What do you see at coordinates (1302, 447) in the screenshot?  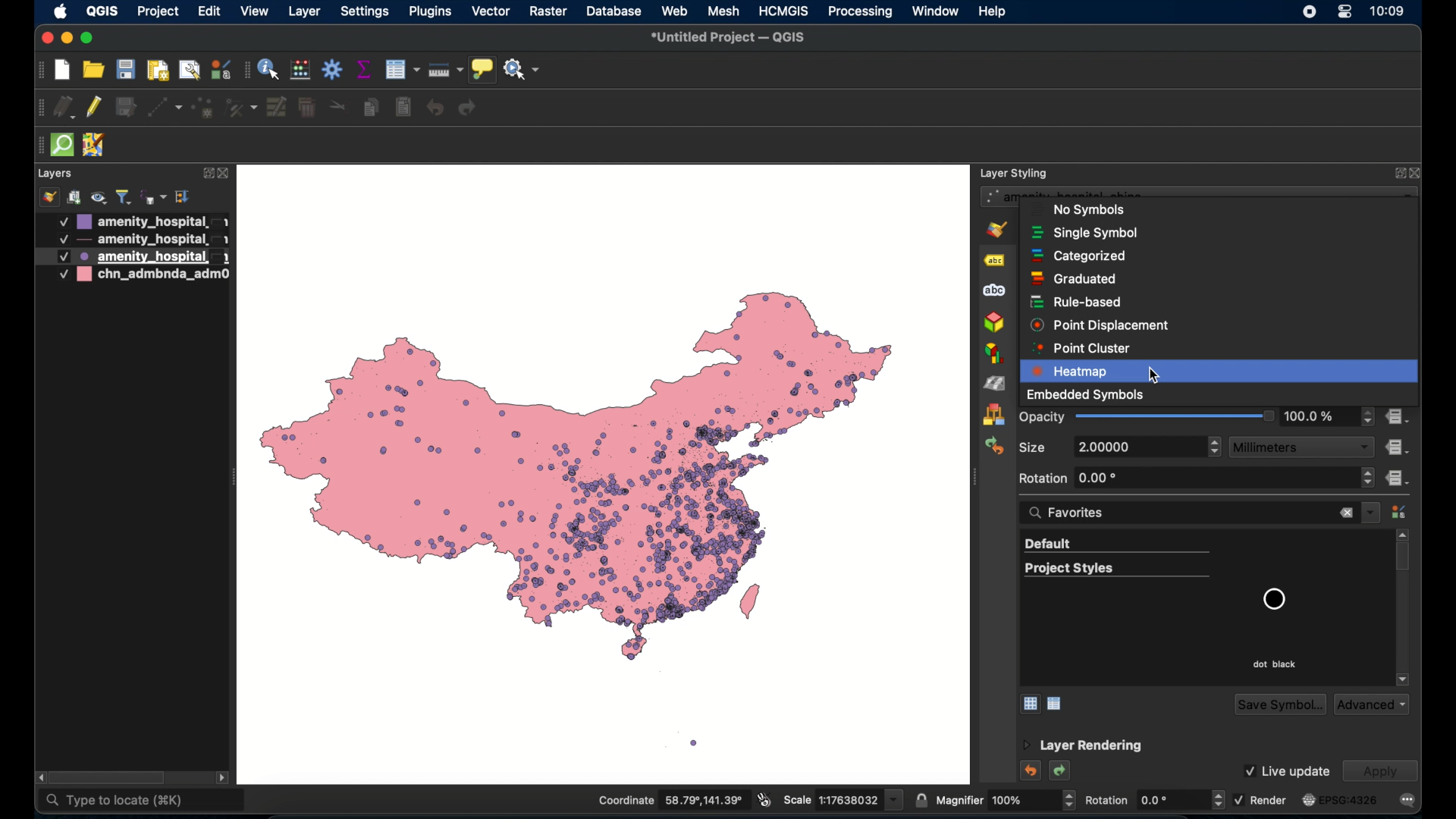 I see `millimeters` at bounding box center [1302, 447].